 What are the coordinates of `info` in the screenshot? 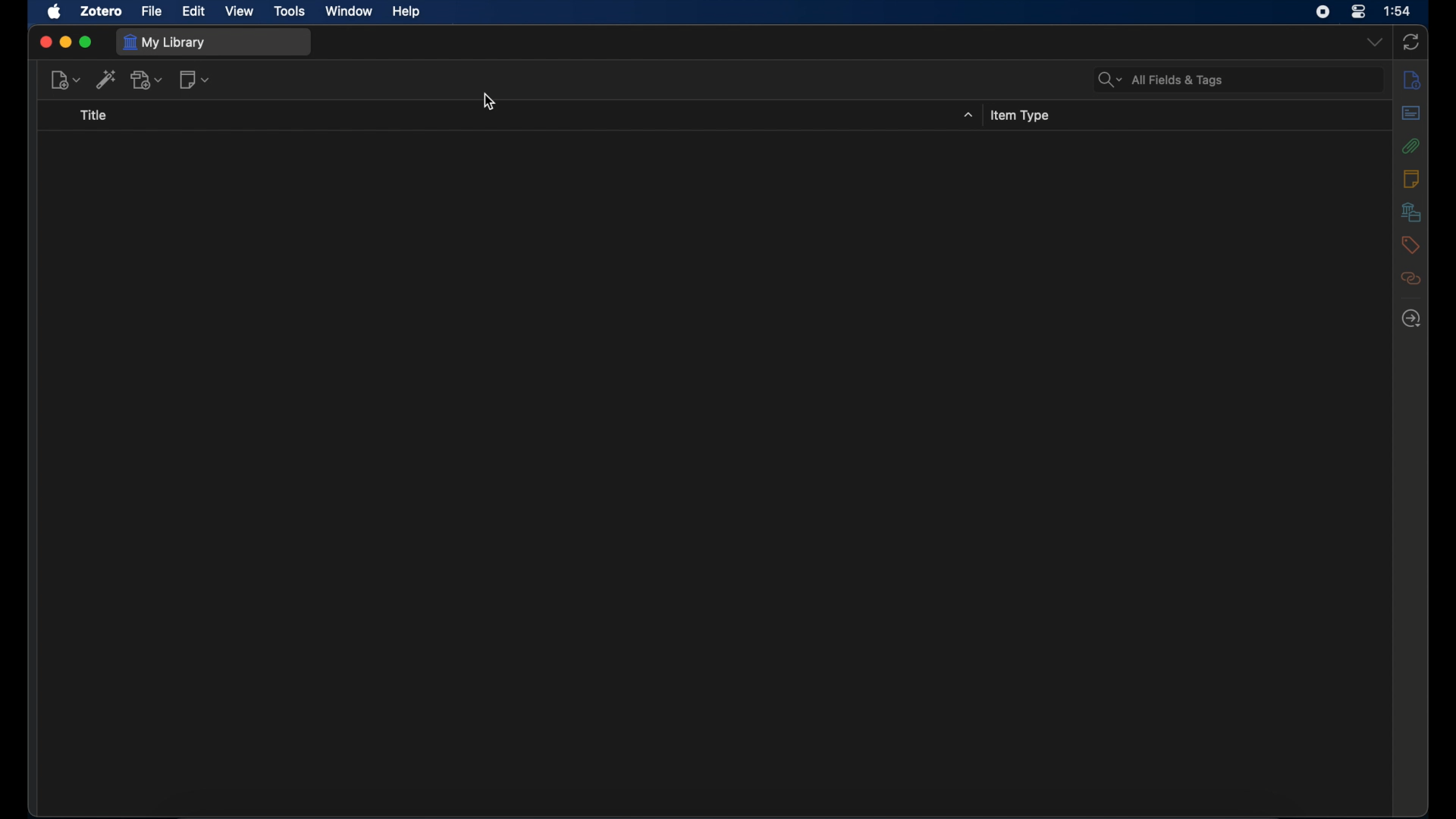 It's located at (1412, 80).